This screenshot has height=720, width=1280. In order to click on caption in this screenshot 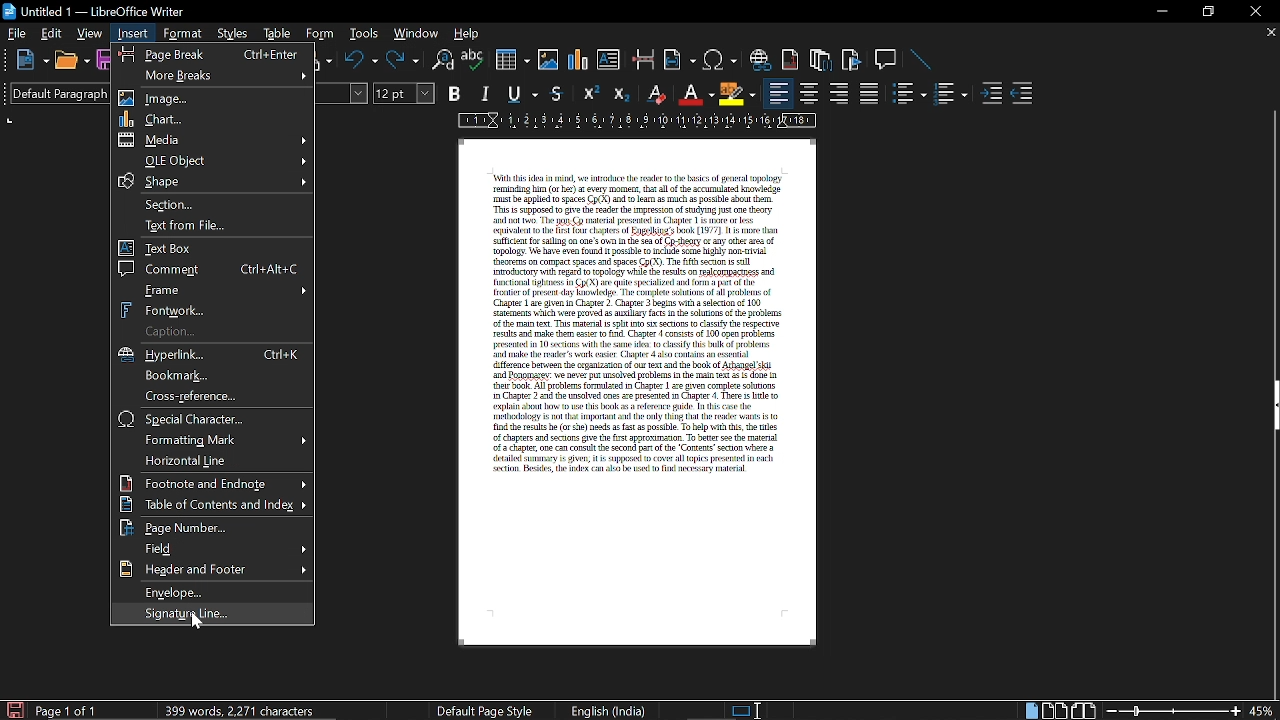, I will do `click(216, 332)`.